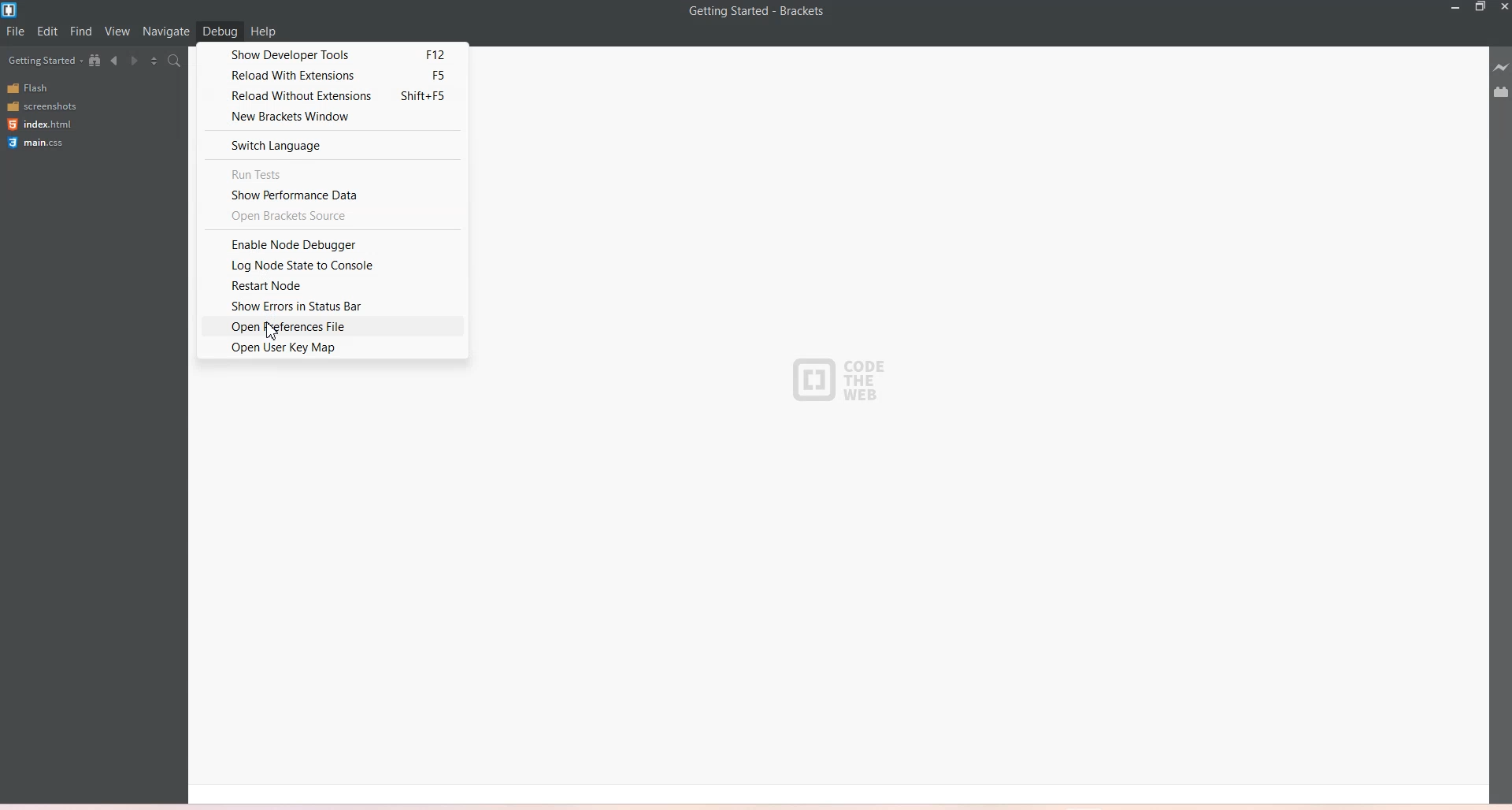 The height and width of the screenshot is (810, 1512). Describe the element at coordinates (1501, 92) in the screenshot. I see `Extension Manager` at that location.